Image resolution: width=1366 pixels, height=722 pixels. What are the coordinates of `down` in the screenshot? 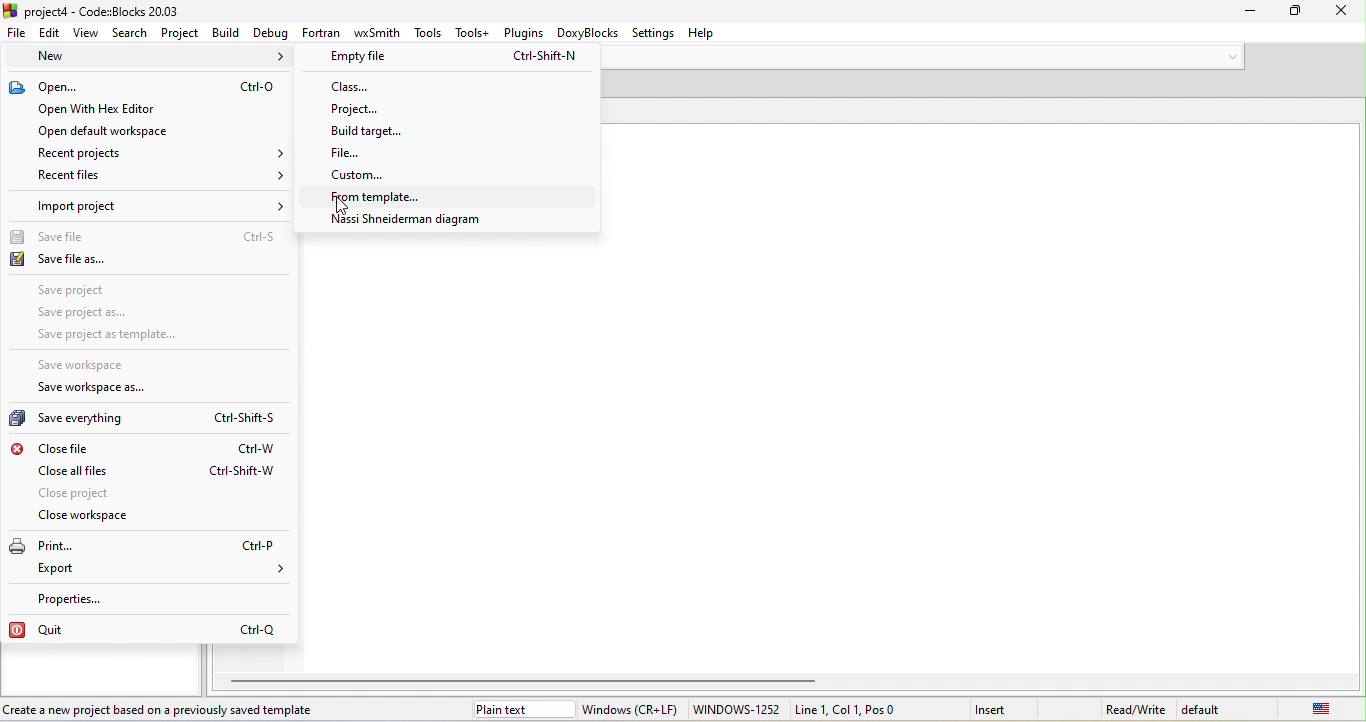 It's located at (1232, 56).